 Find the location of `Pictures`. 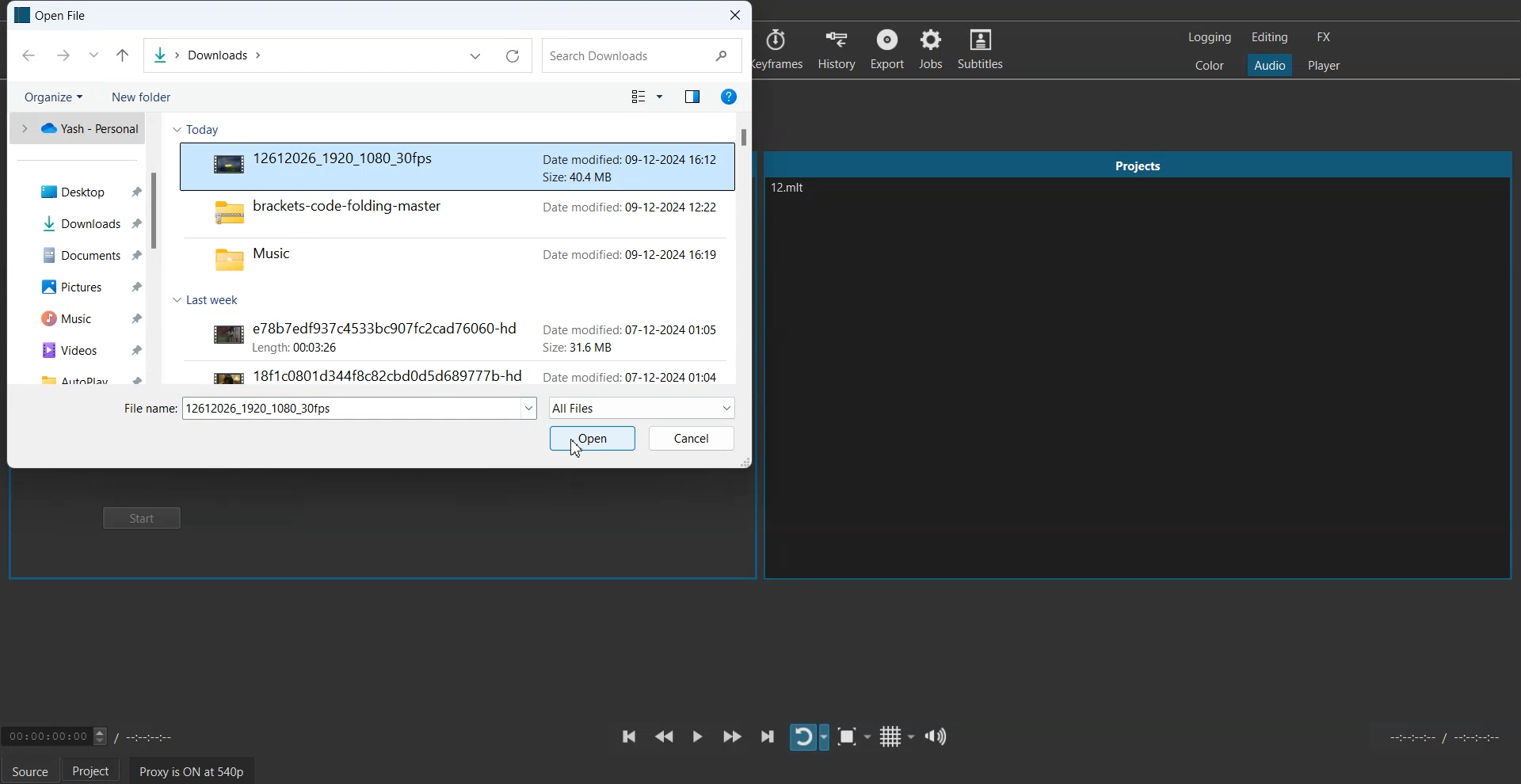

Pictures is located at coordinates (77, 285).